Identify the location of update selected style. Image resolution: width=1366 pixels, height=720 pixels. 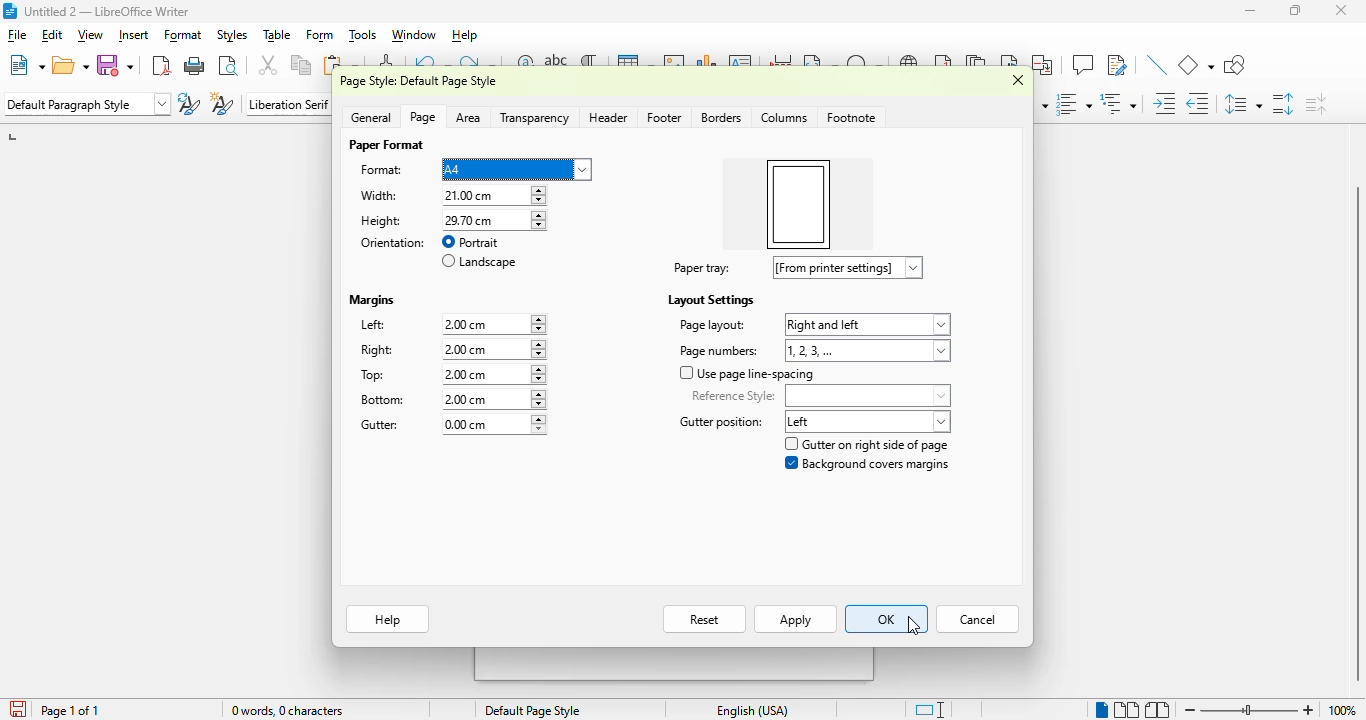
(190, 104).